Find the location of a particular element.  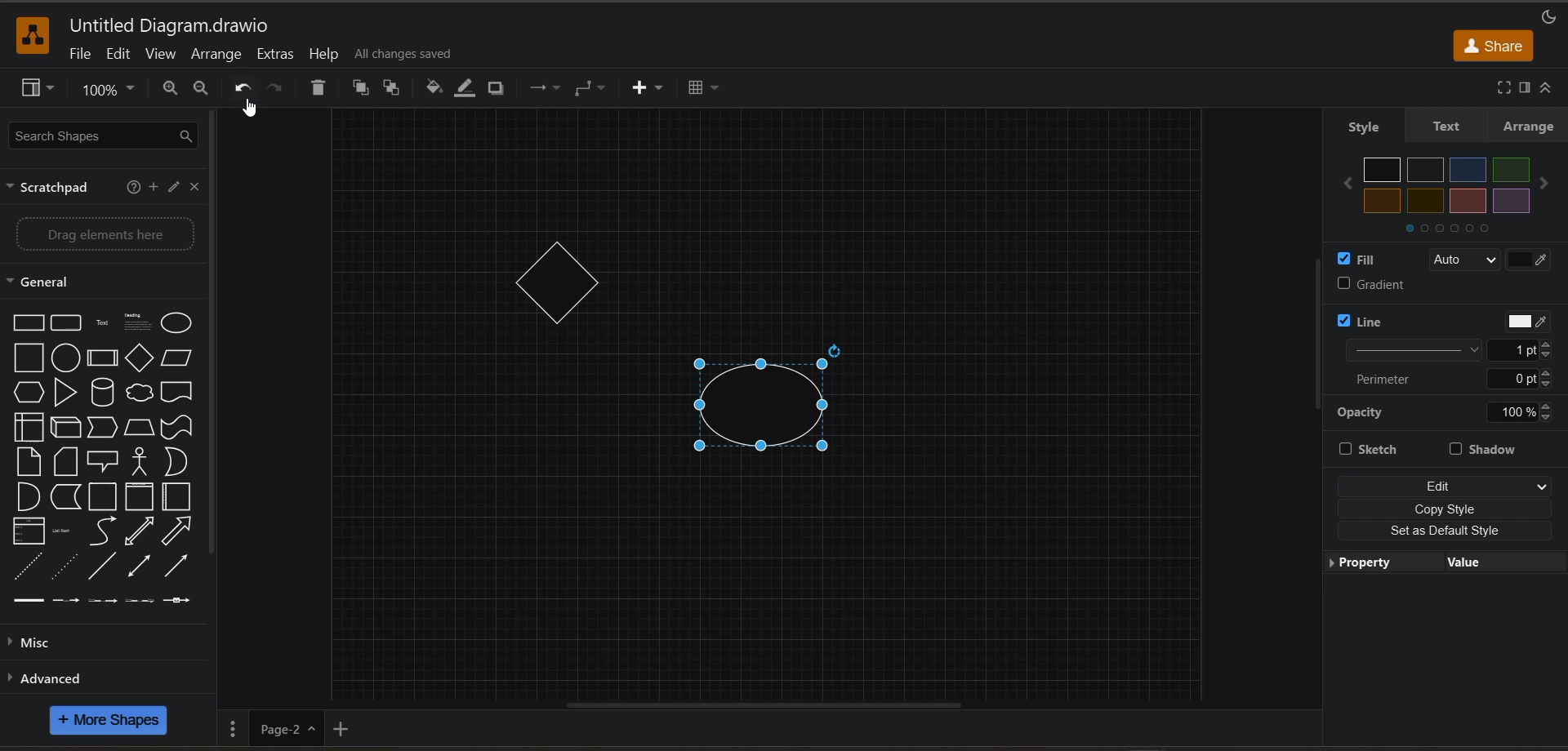

Circle is located at coordinates (65, 357).